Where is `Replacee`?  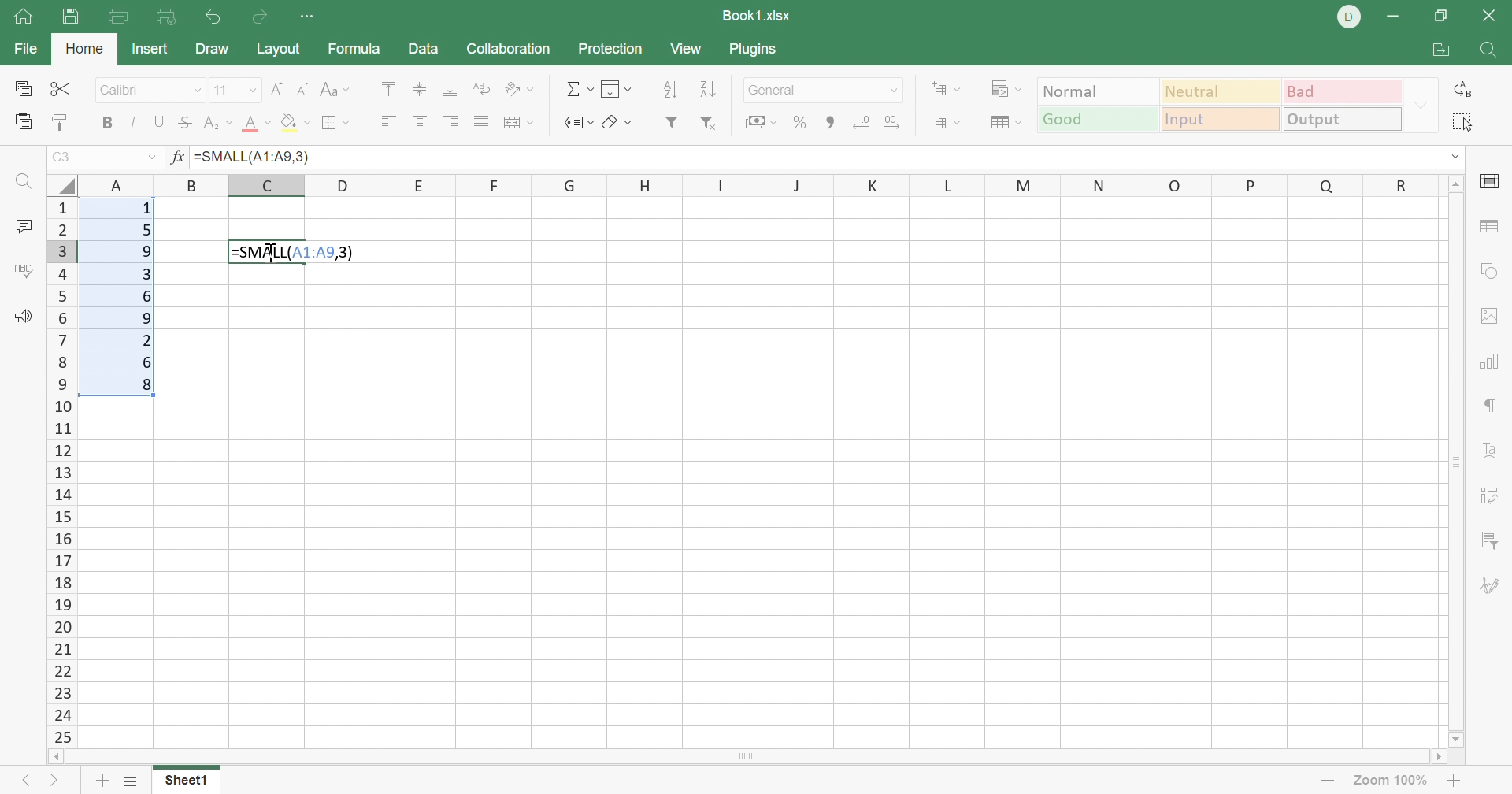 Replacee is located at coordinates (1465, 89).